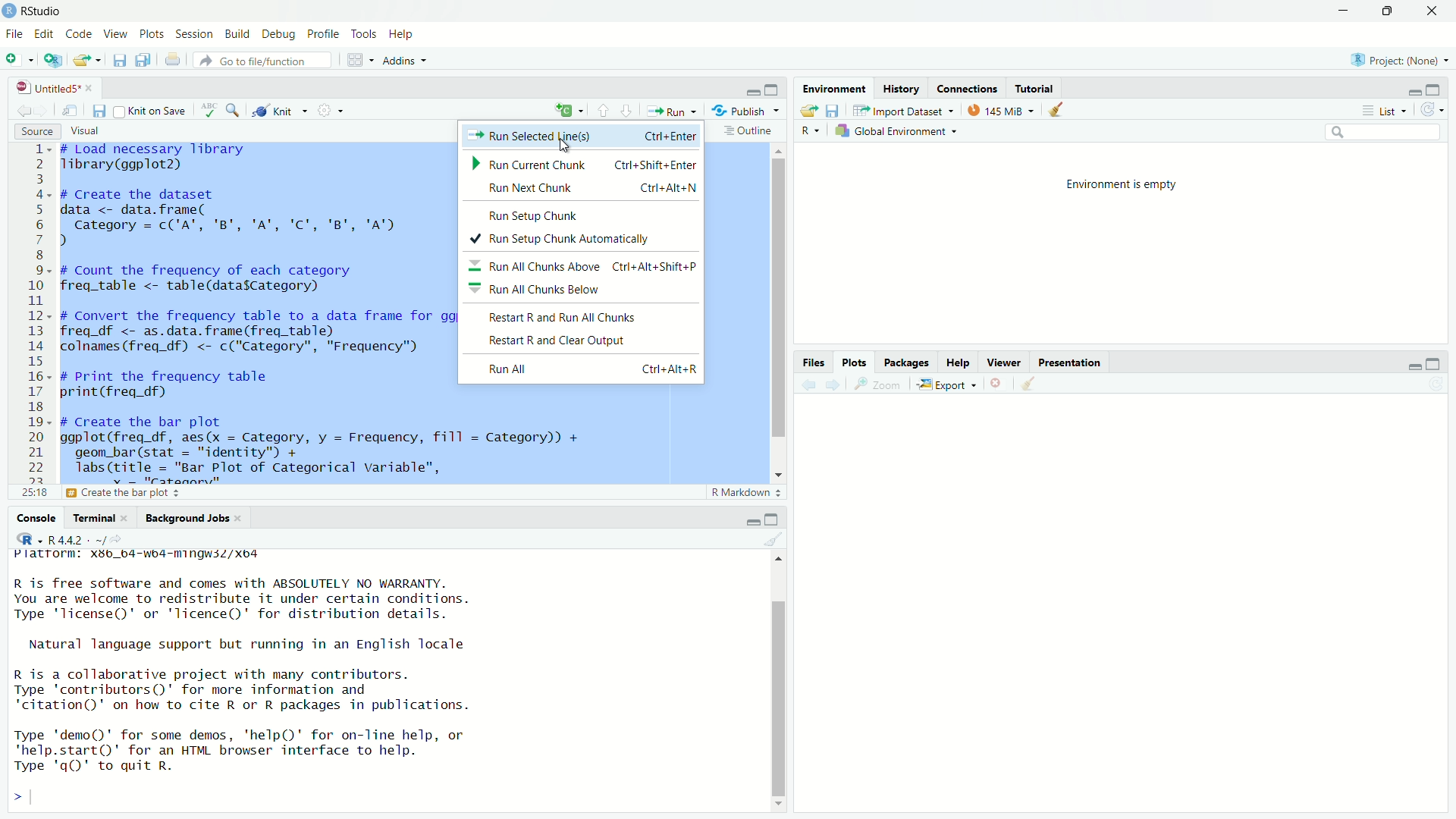 The height and width of the screenshot is (819, 1456). Describe the element at coordinates (266, 677) in the screenshot. I see `R is free software and comes with ABSOLUTELY NO WARRANTY.You are welcome to redistribute it under certain conditions.Type 'license()' or 'licence()' for distribution details.Natural language support but running in an English localeR is a collaborative project with many contributors.Type 'contributors()' for more information and"citation()' on how to cite R or R packages in publications.Type 'demo()' for some demos, 'help()' for on-Tine help, or'help.start()"' for an HTML browser interface to help.Type 'qQ' to quit R.` at that location.